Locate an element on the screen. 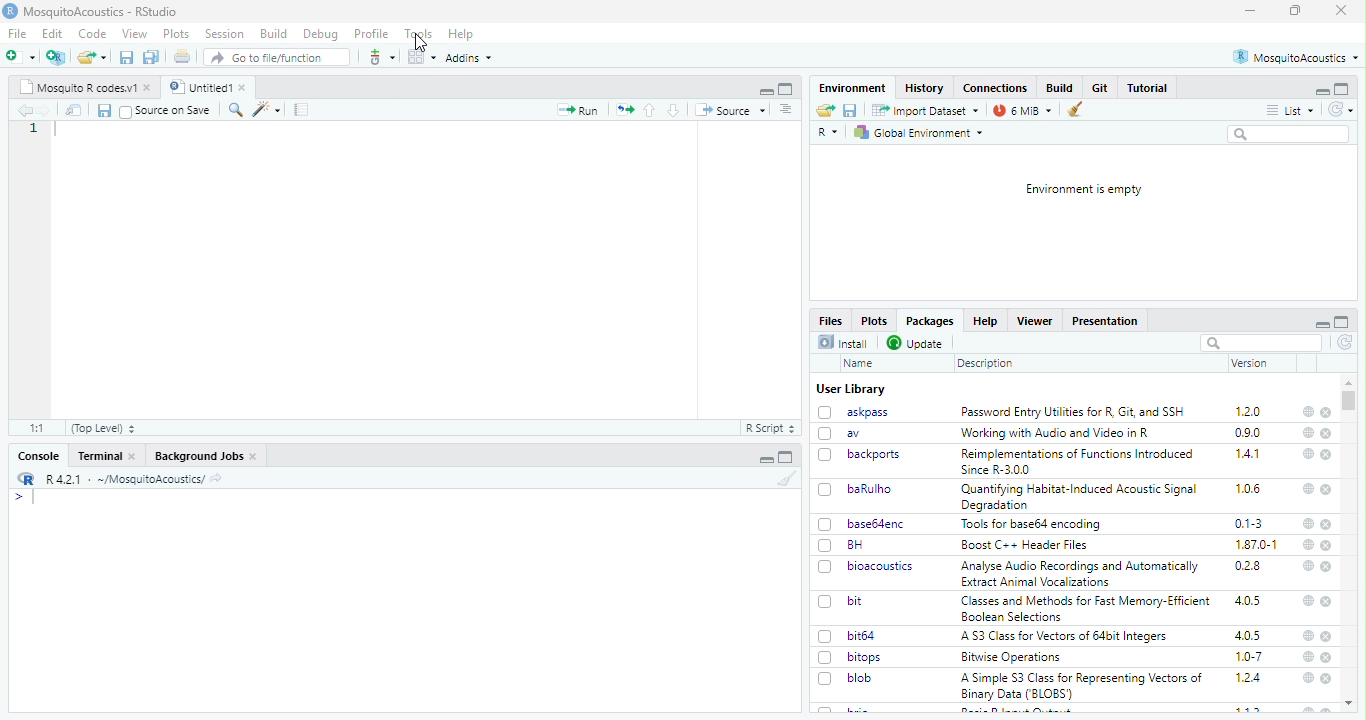 The width and height of the screenshot is (1366, 720). Source on save is located at coordinates (175, 111).